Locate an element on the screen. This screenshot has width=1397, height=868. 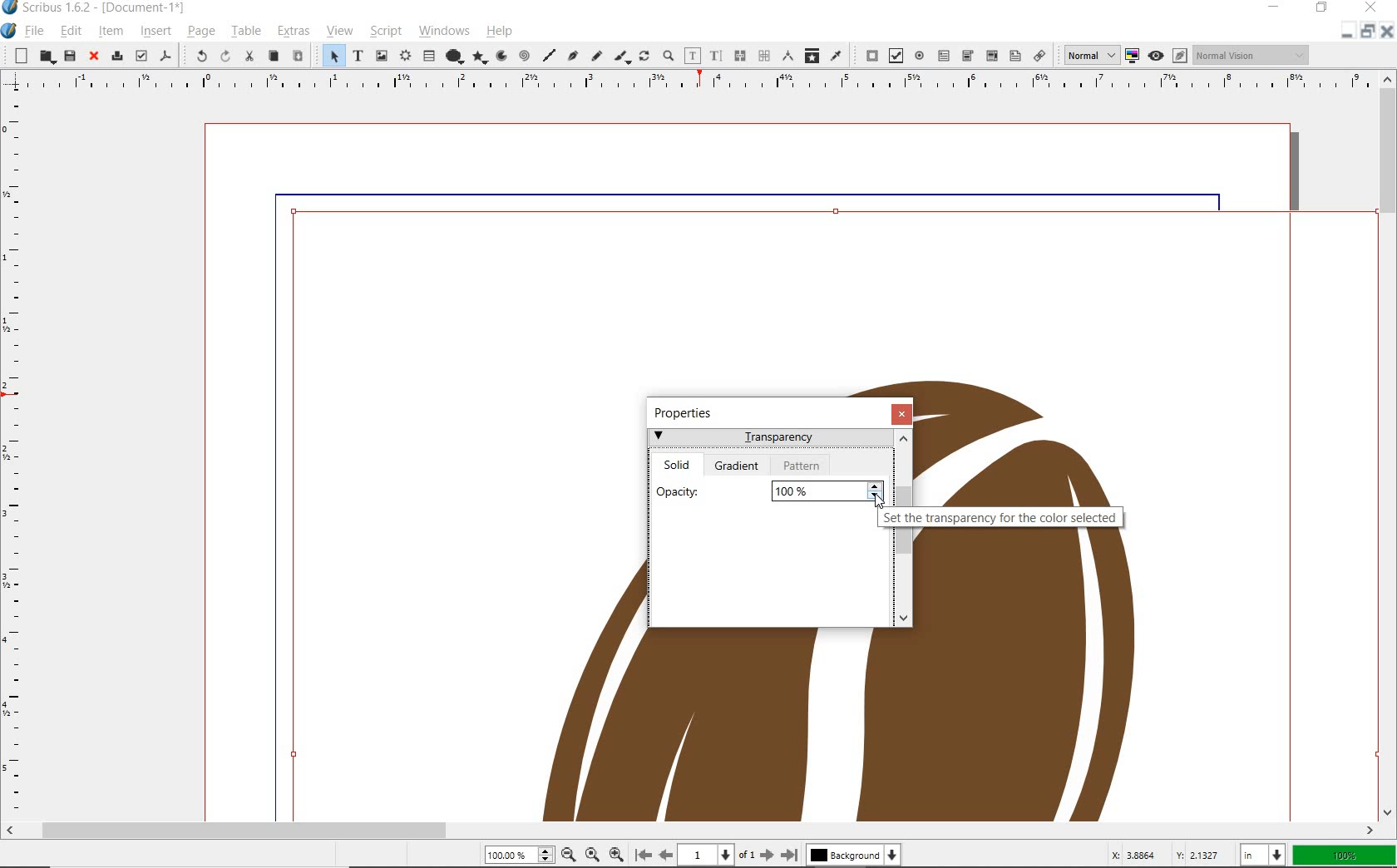
Horizontal Margin is located at coordinates (687, 84).